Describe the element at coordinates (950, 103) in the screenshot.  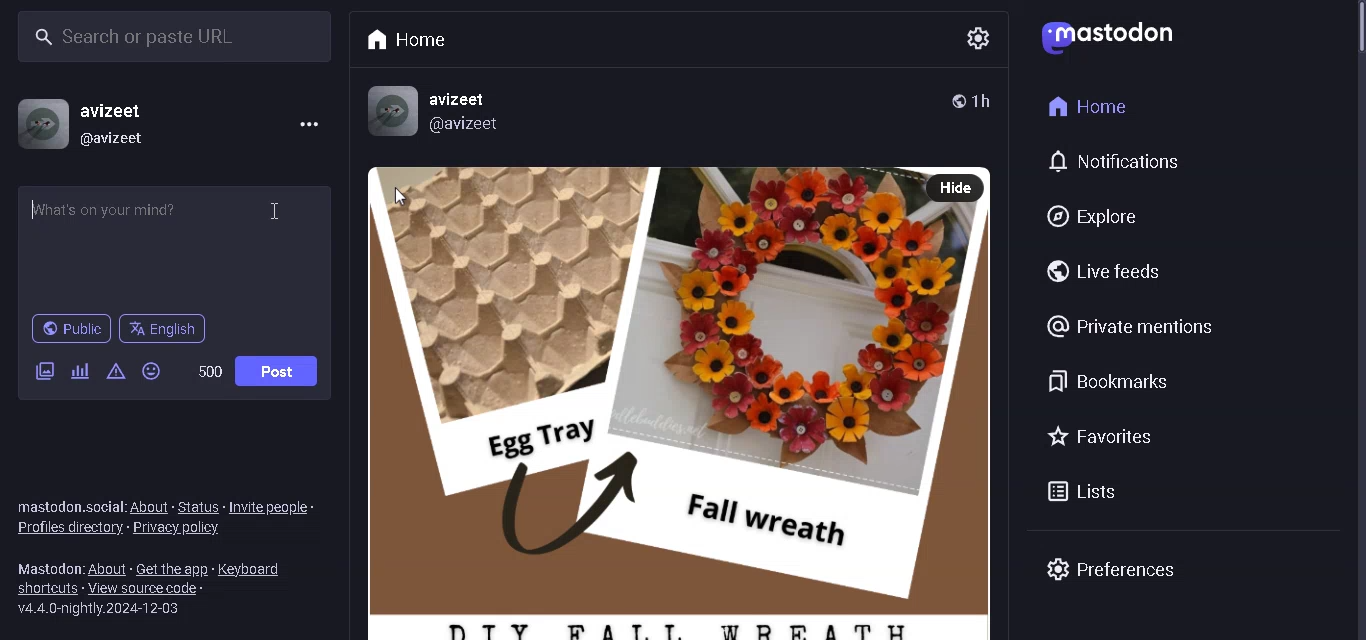
I see `PUBLIC POST` at that location.